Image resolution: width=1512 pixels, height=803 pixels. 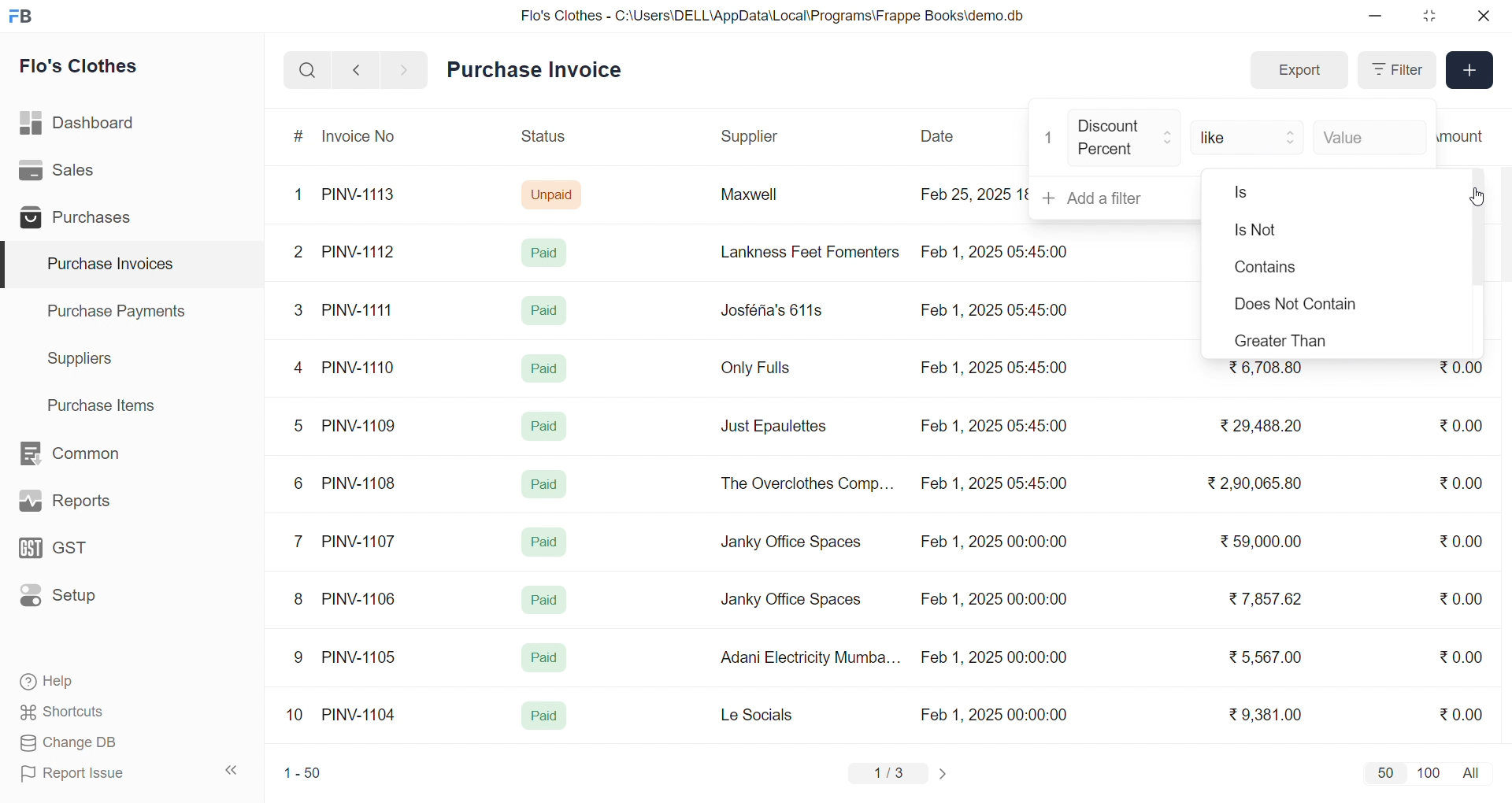 What do you see at coordinates (108, 265) in the screenshot?
I see `Purchase Invoices` at bounding box center [108, 265].